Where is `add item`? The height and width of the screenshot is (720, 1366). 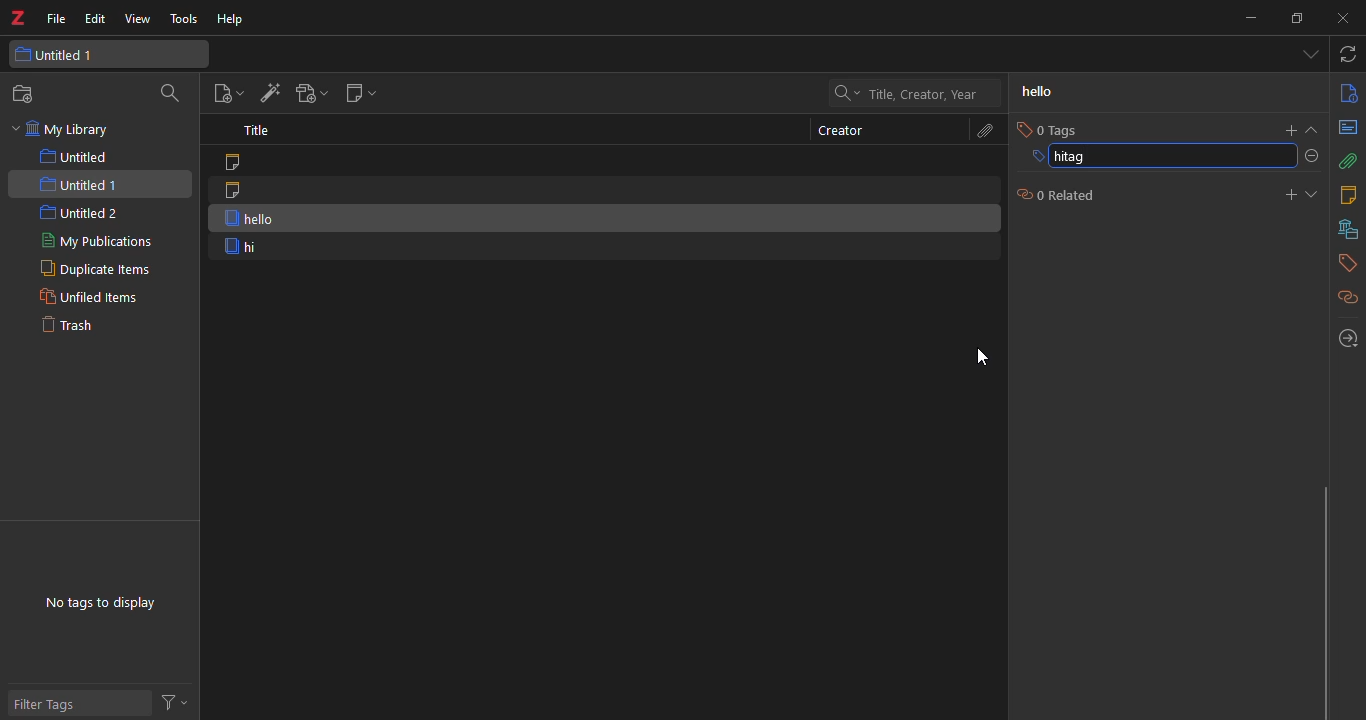
add item is located at coordinates (267, 93).